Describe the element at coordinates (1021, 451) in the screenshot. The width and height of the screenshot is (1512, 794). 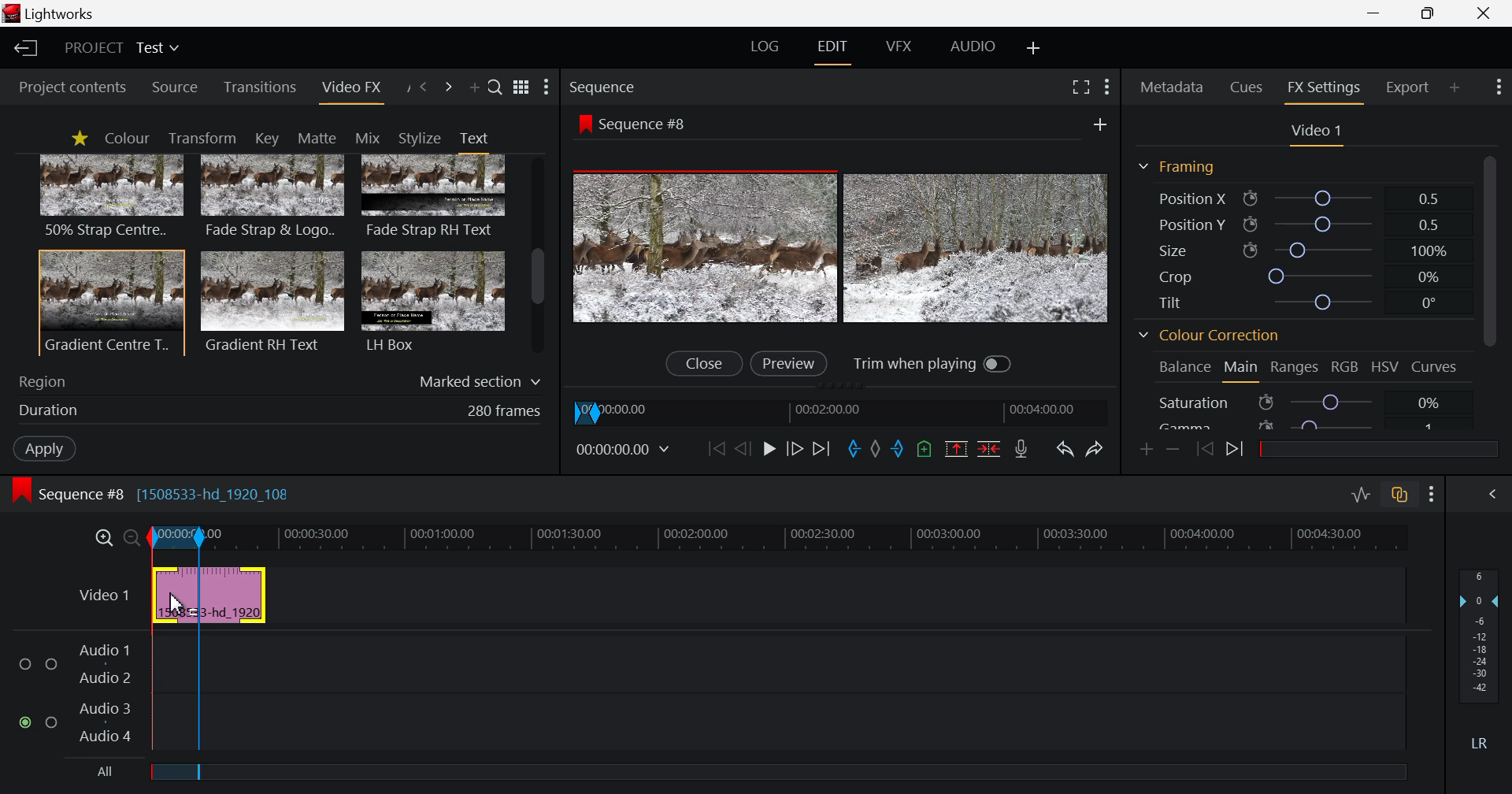
I see `Record voiceover` at that location.